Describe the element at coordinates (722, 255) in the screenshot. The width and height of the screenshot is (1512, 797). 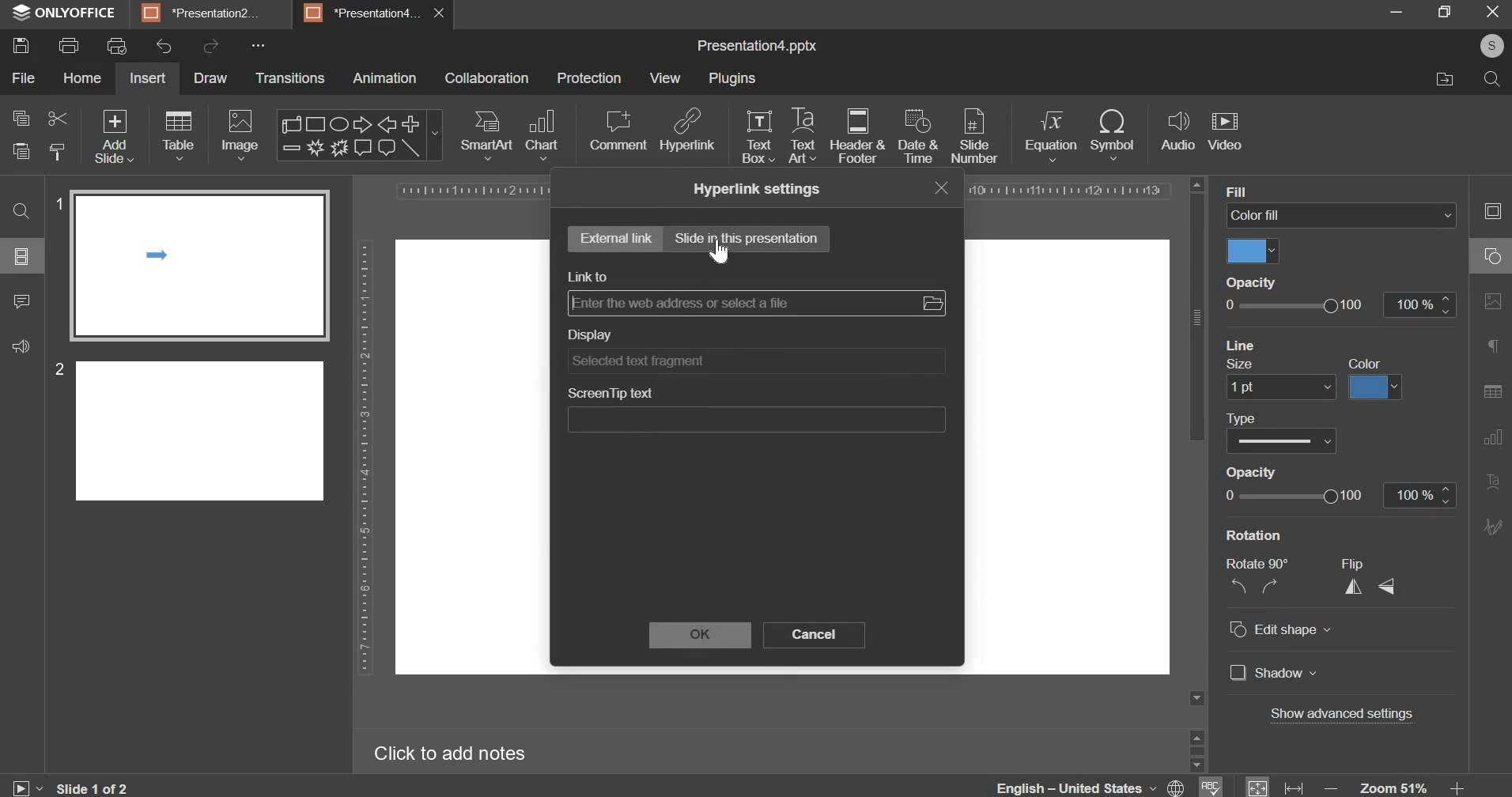
I see `cursor` at that location.